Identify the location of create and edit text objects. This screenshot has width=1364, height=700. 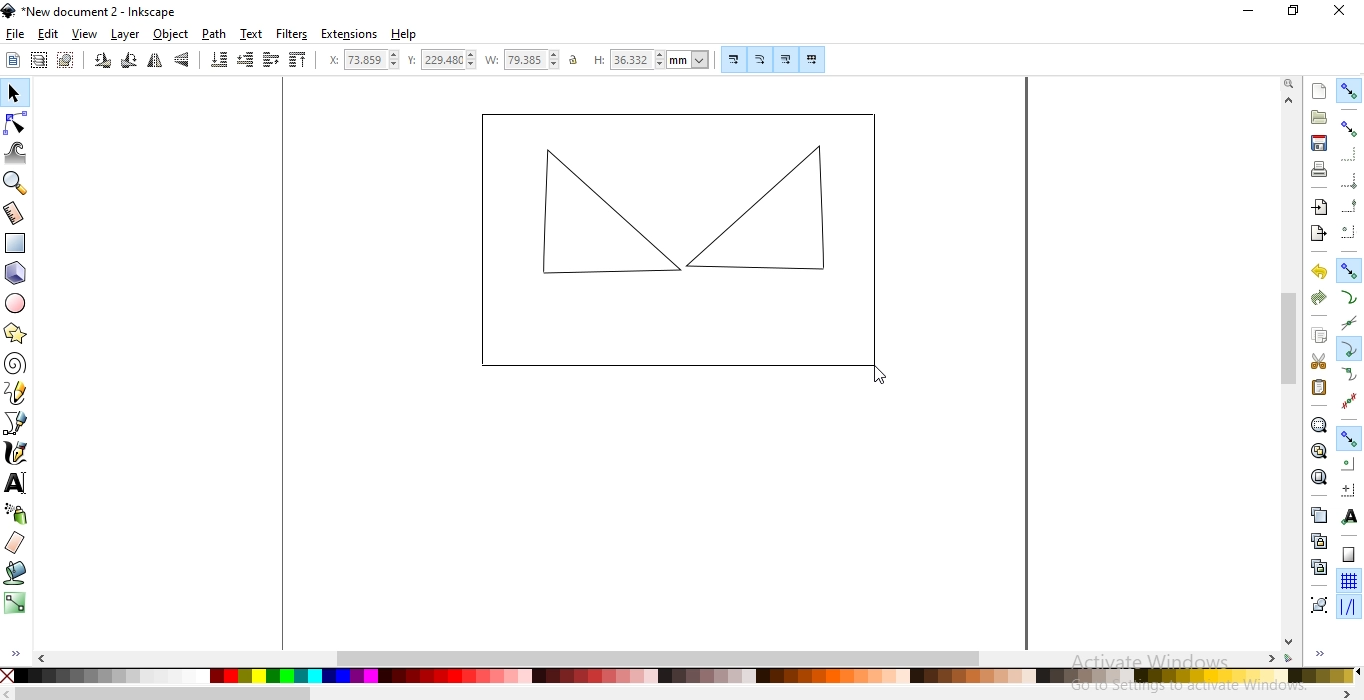
(18, 484).